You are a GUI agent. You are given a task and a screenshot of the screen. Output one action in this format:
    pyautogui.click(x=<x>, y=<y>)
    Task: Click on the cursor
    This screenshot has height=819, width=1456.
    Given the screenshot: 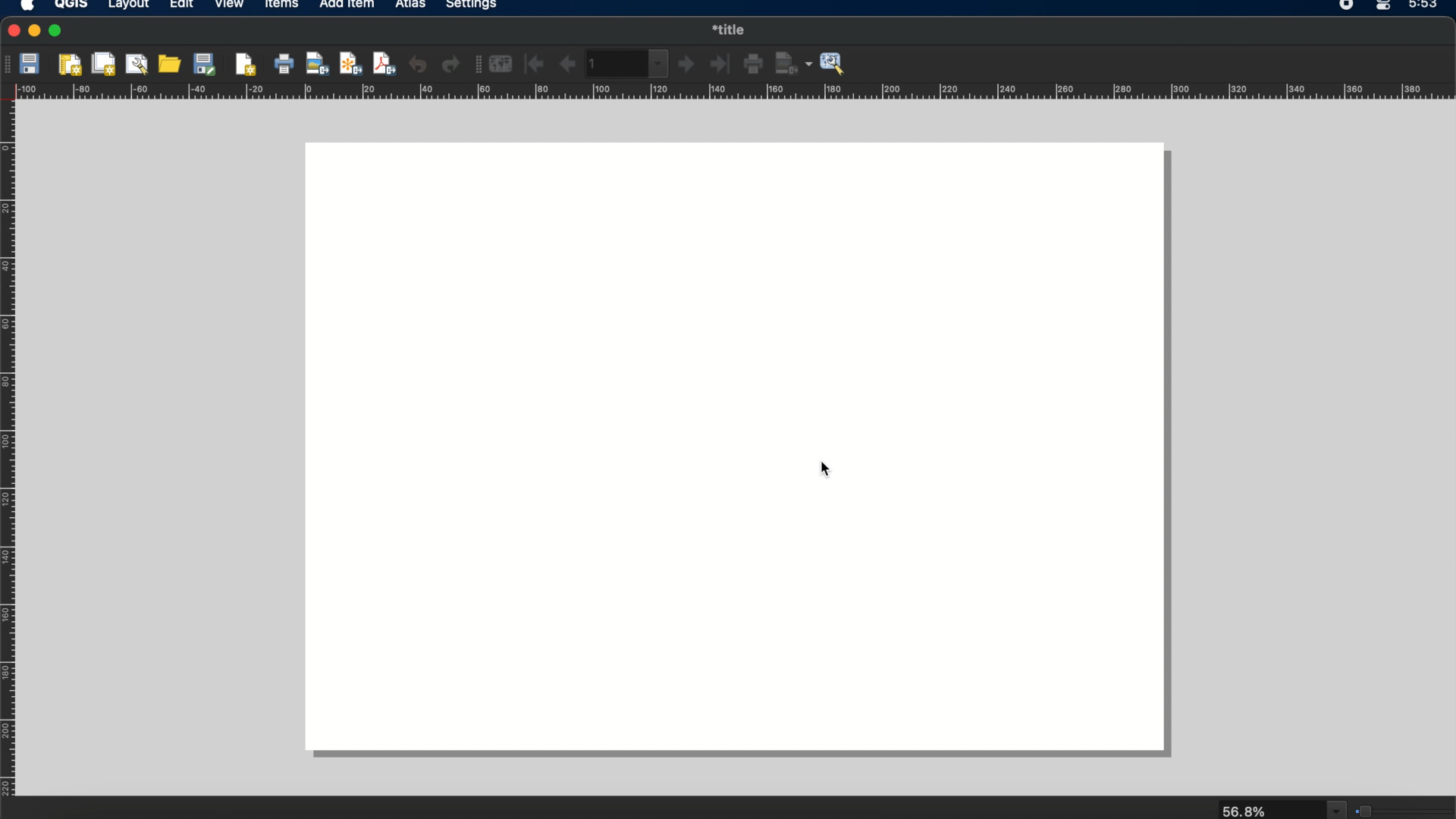 What is the action you would take?
    pyautogui.click(x=831, y=469)
    